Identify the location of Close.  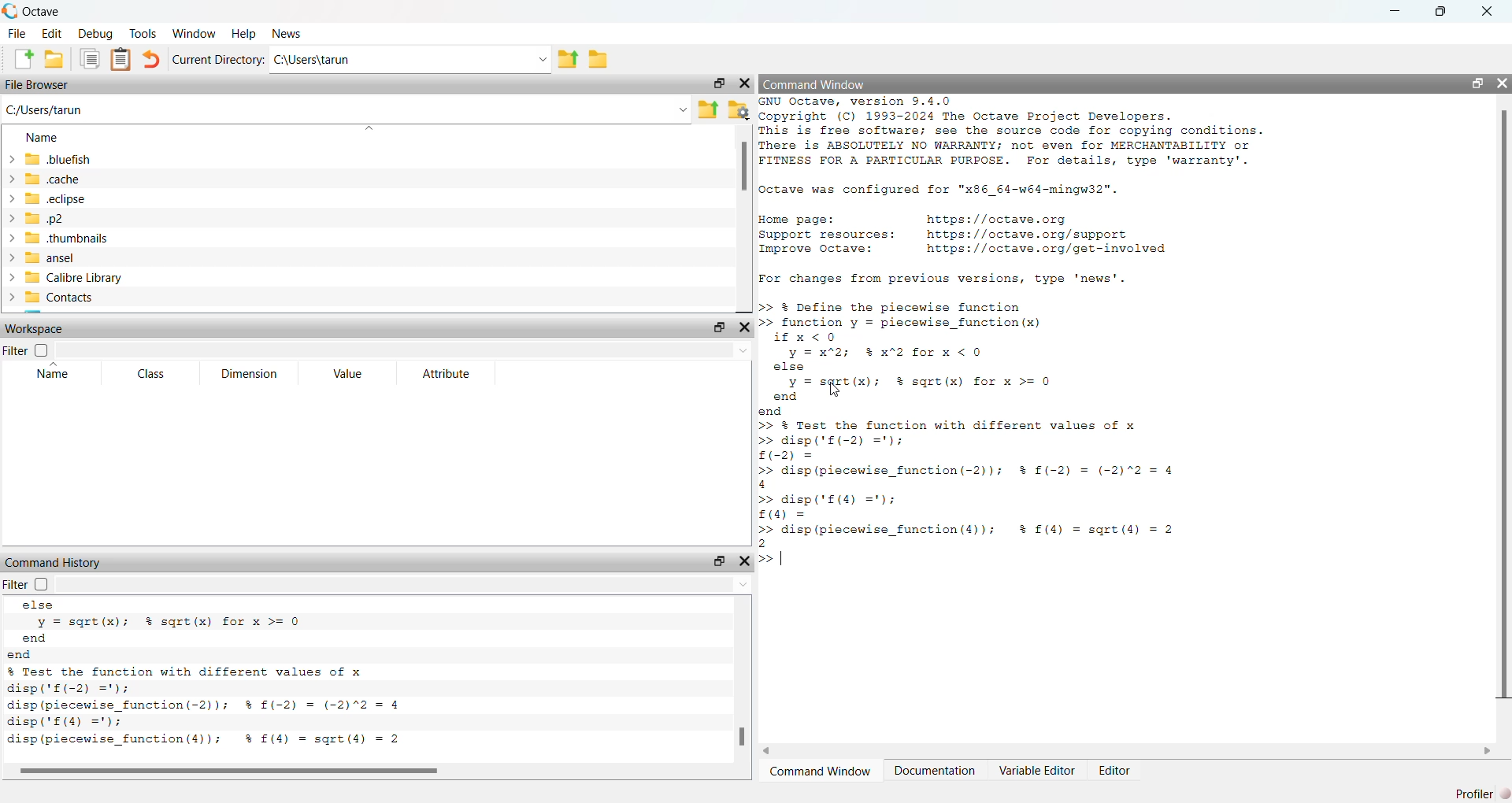
(1501, 79).